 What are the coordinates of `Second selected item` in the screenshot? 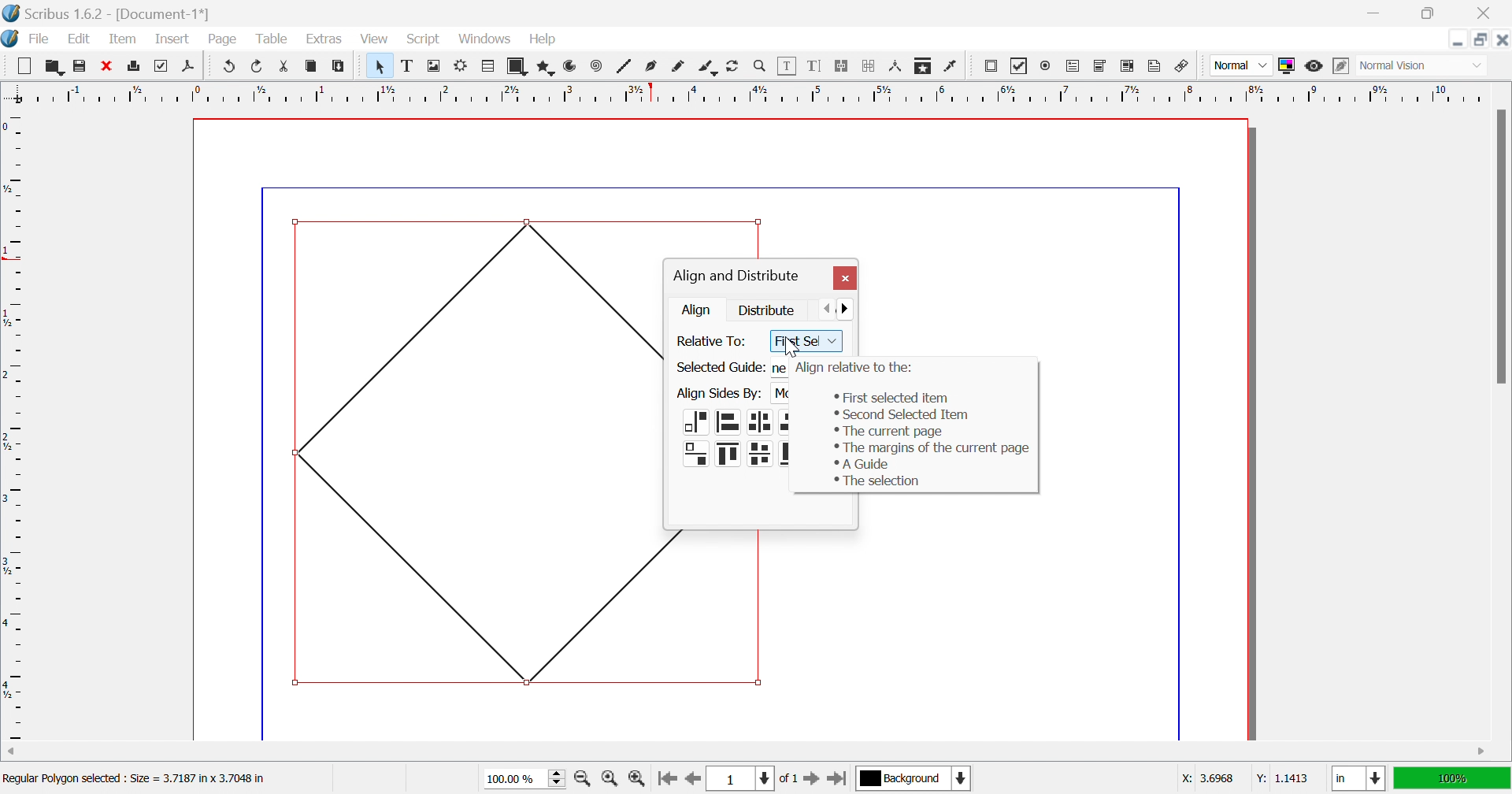 It's located at (901, 415).